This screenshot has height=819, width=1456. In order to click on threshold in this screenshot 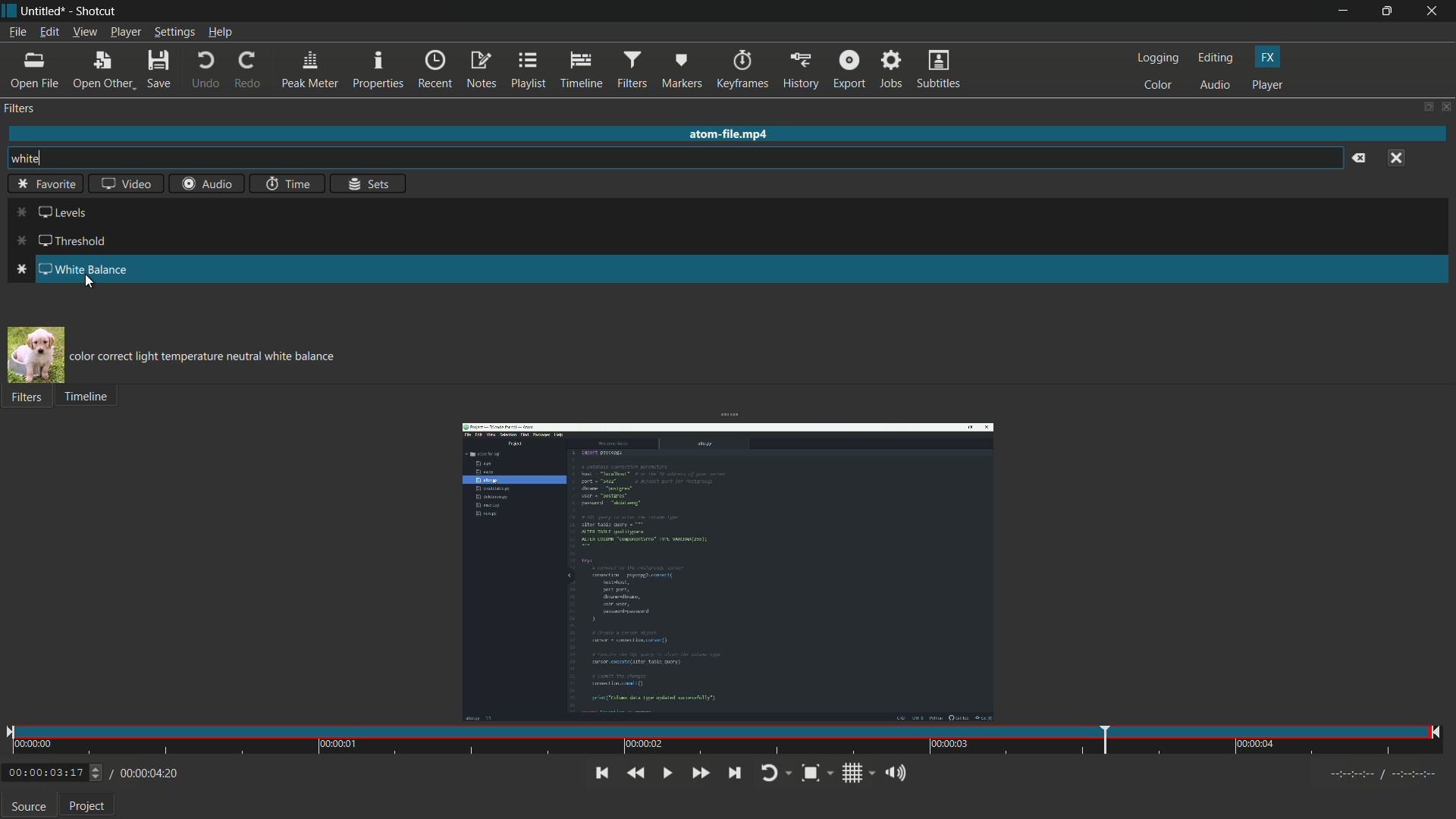, I will do `click(64, 240)`.